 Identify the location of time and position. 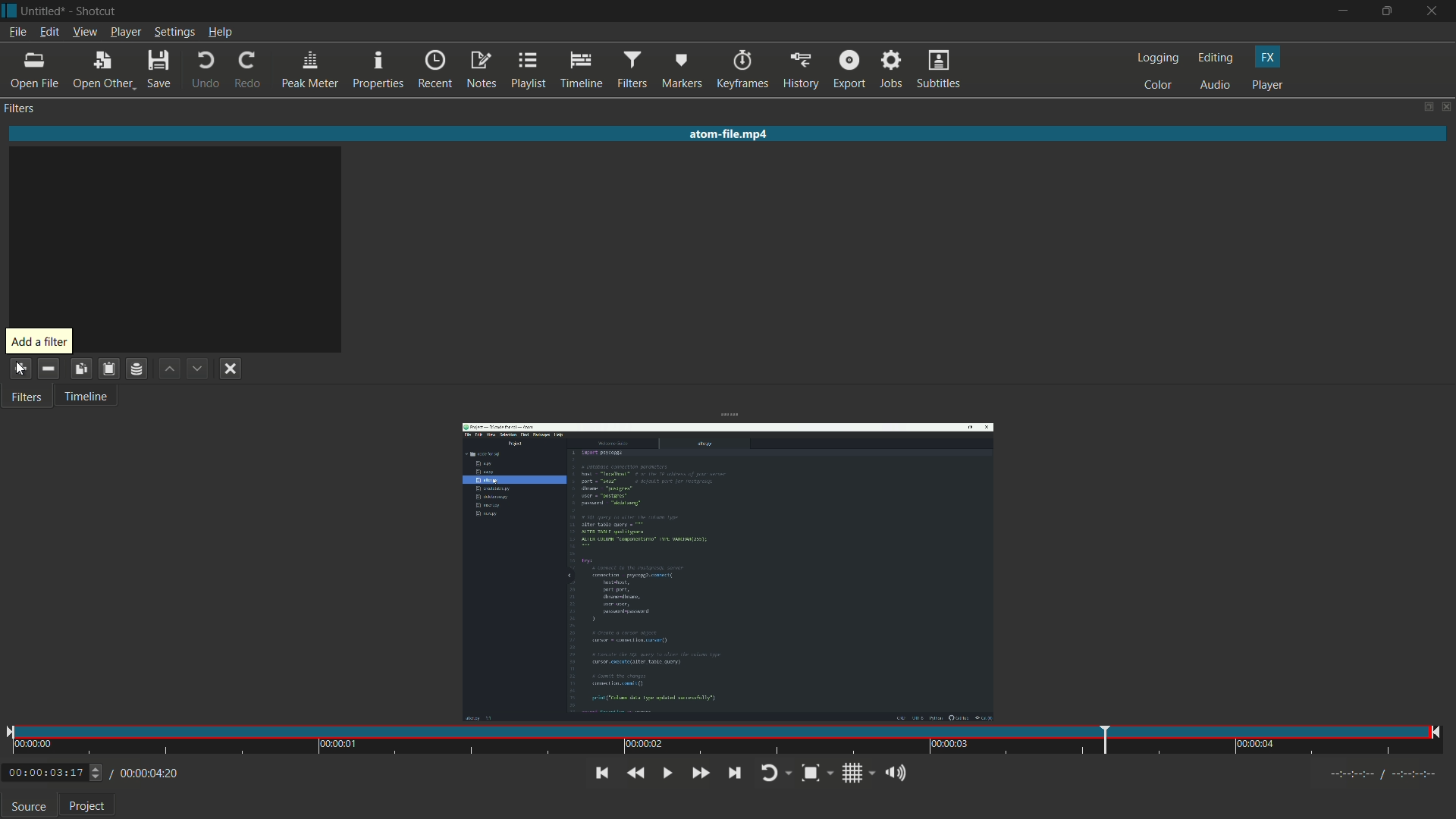
(725, 741).